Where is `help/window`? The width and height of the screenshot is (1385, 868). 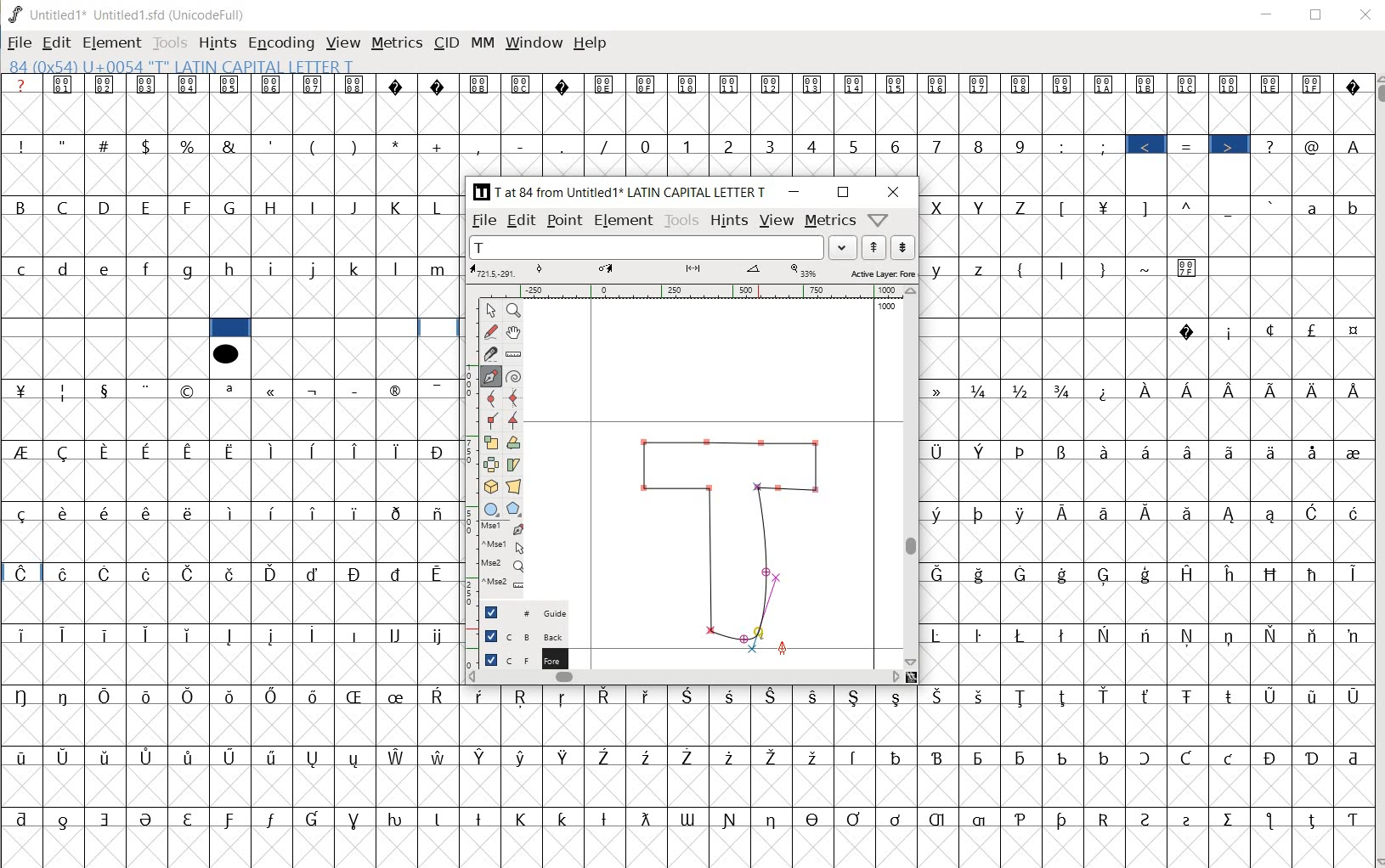
help/window is located at coordinates (878, 220).